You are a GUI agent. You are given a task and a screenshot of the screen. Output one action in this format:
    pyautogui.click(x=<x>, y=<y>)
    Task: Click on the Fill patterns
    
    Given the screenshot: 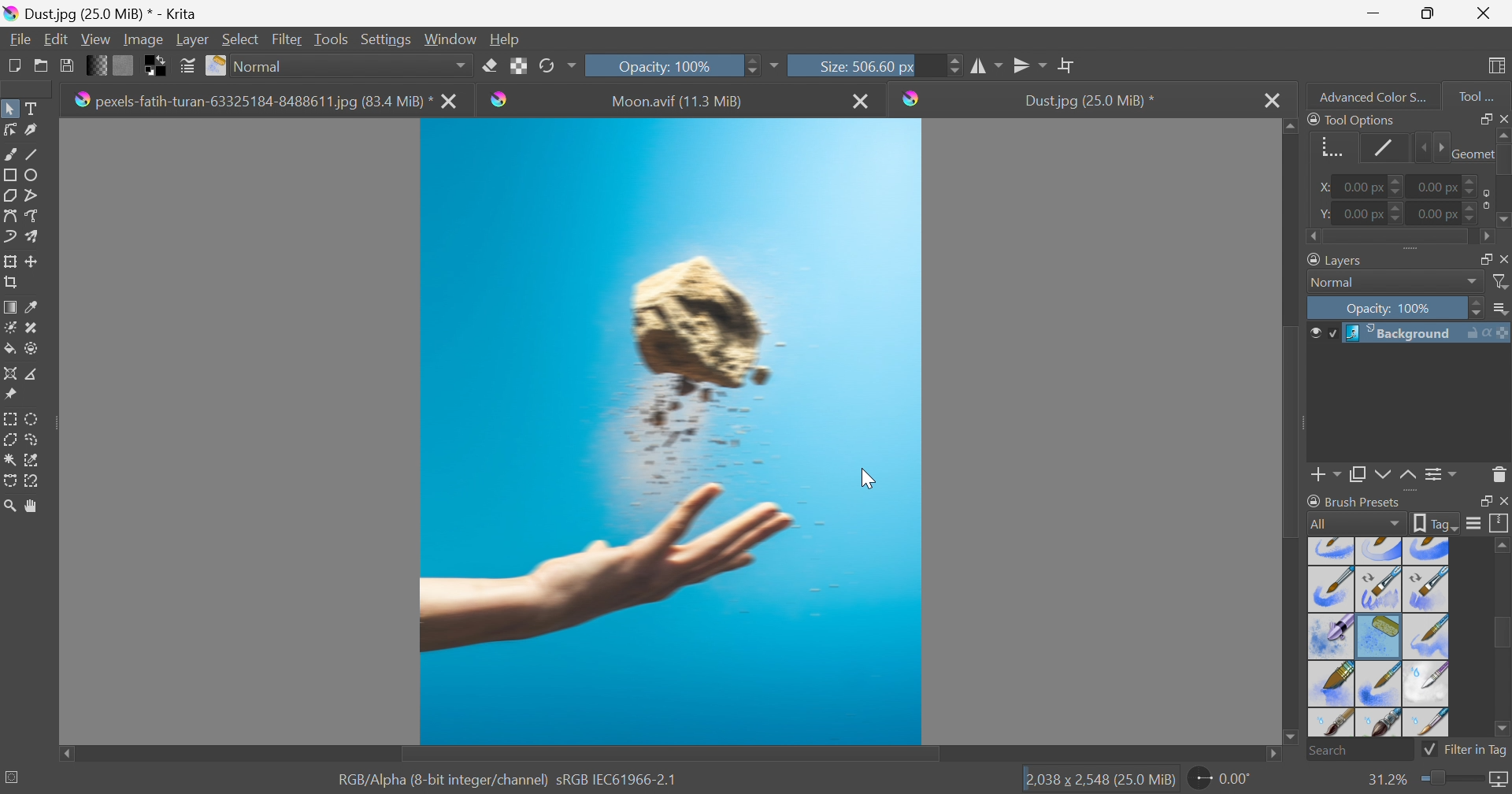 What is the action you would take?
    pyautogui.click(x=124, y=64)
    